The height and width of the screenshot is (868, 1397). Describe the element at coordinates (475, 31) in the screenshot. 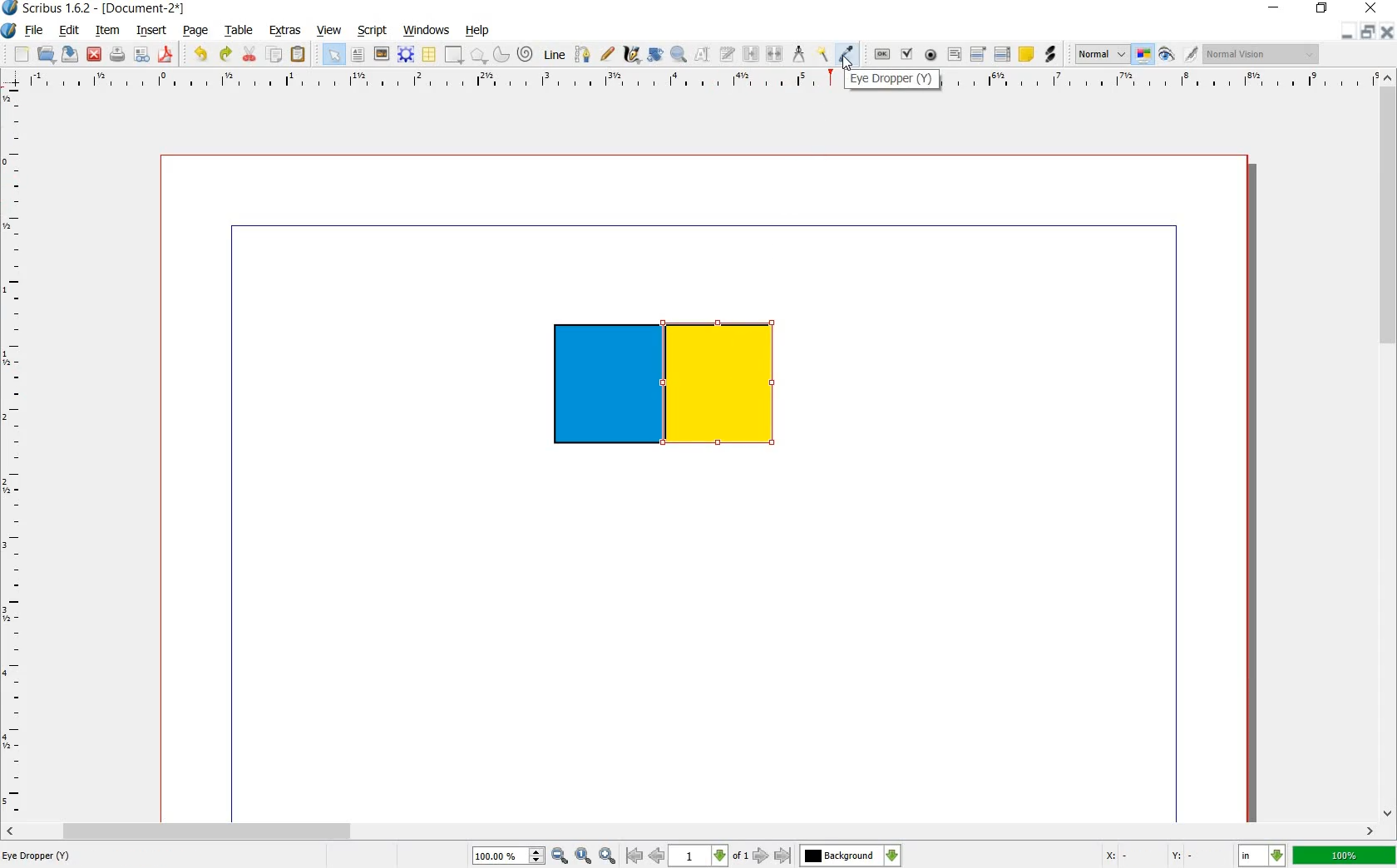

I see `help` at that location.